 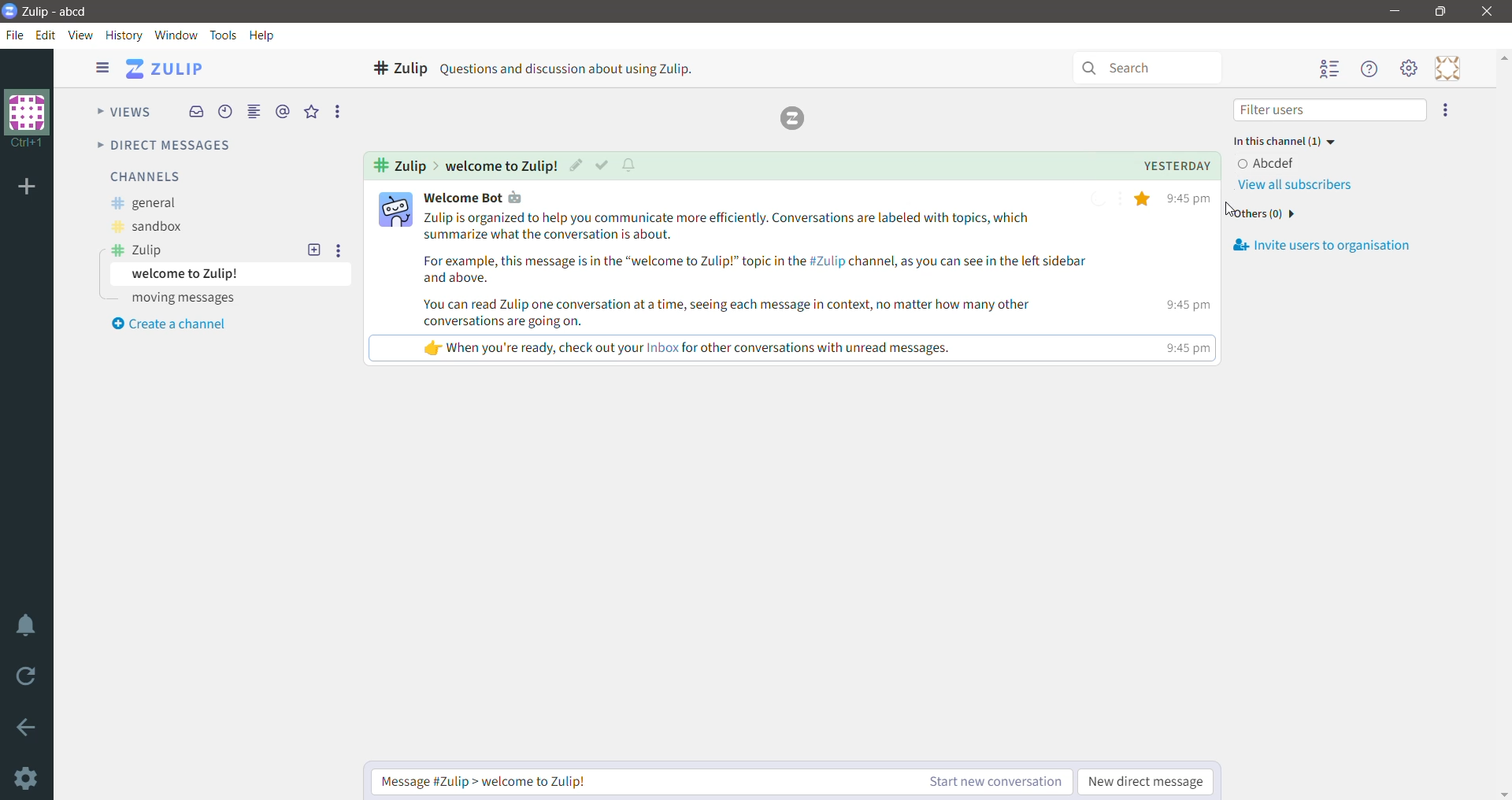 I want to click on Logged in user, so click(x=1278, y=164).